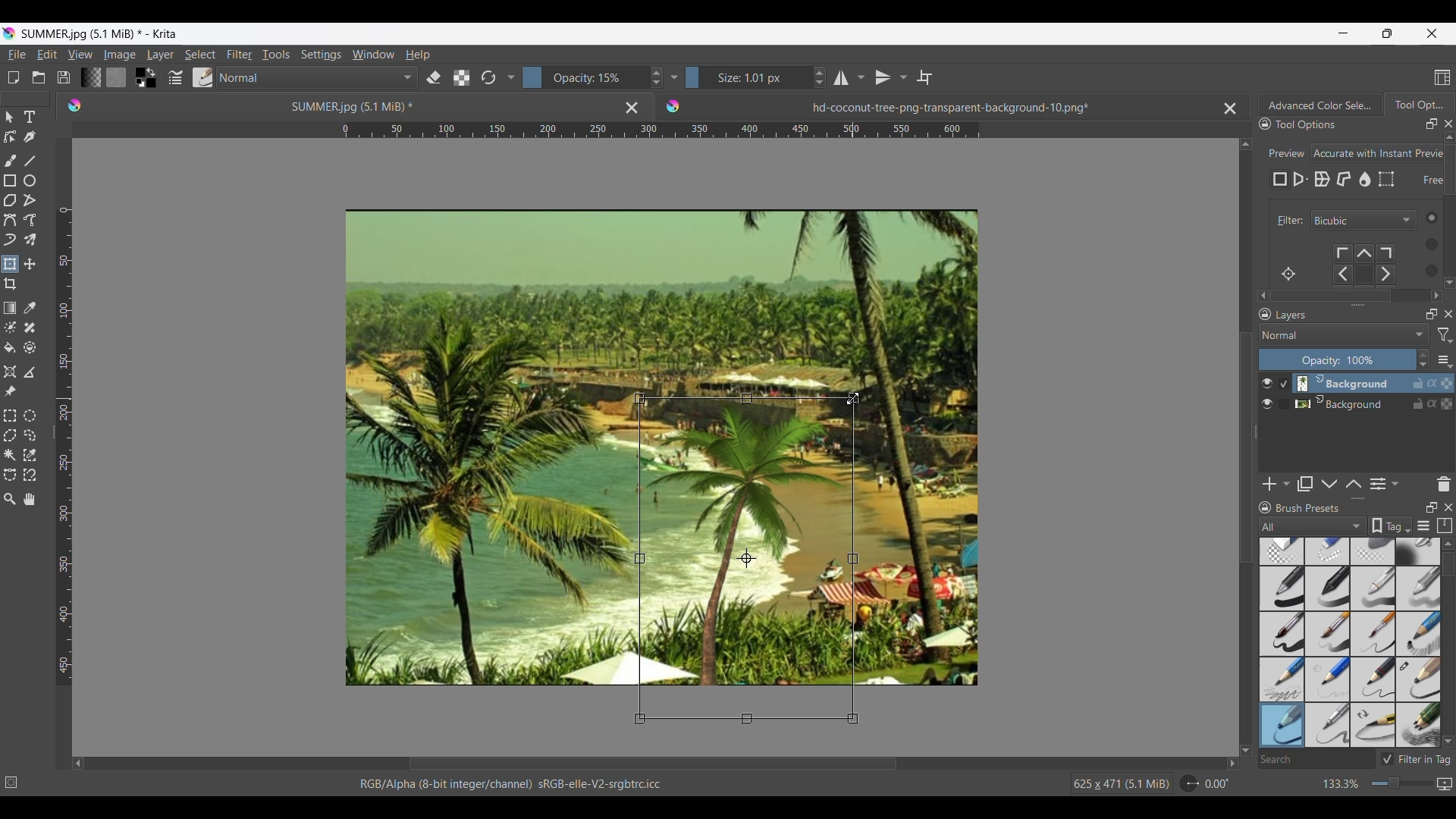 The image size is (1456, 819). I want to click on Cursor clicking on Transform tool, so click(13, 270).